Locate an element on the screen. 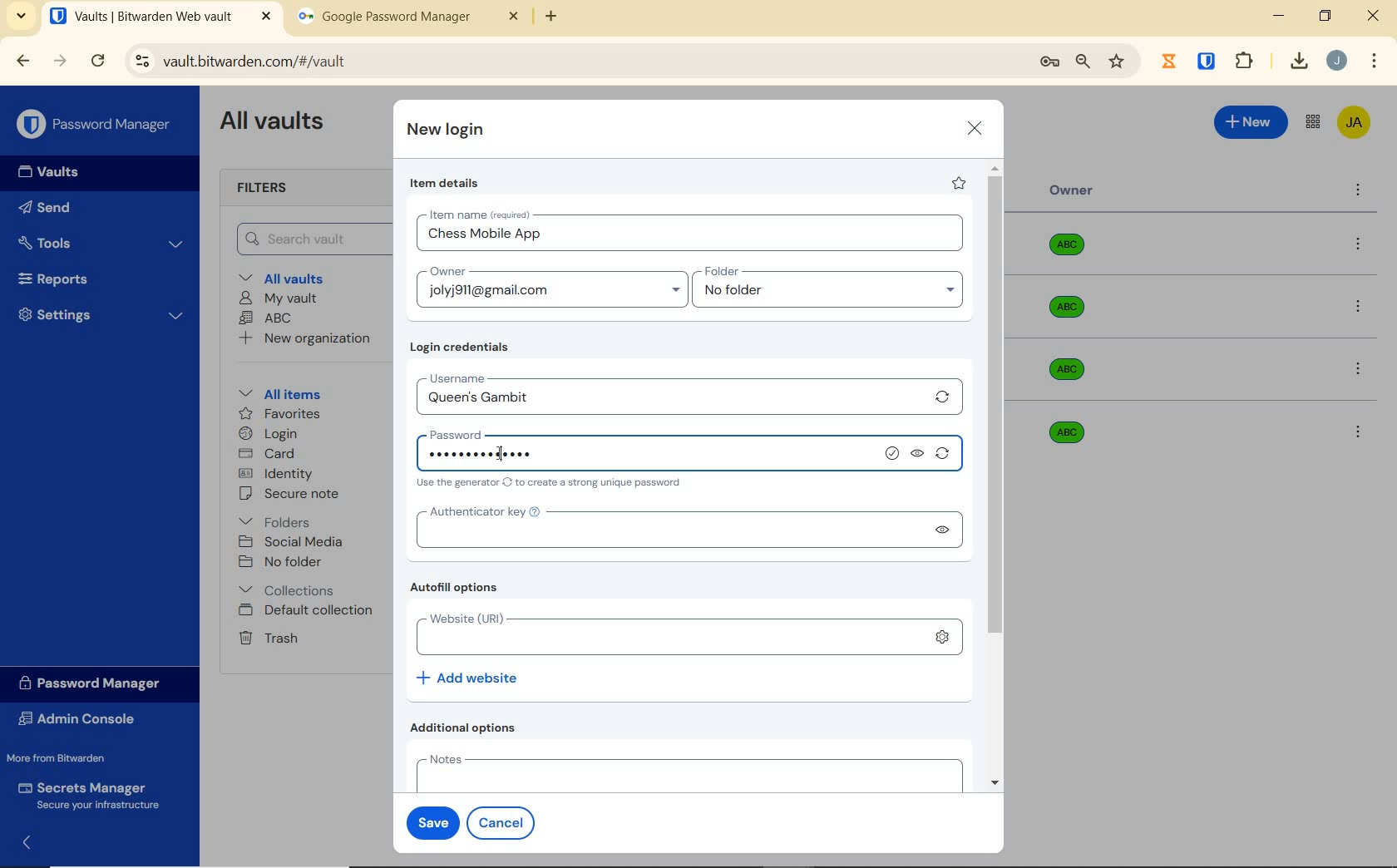 Image resolution: width=1397 pixels, height=868 pixels. toggle between admin console and password manager is located at coordinates (1311, 123).